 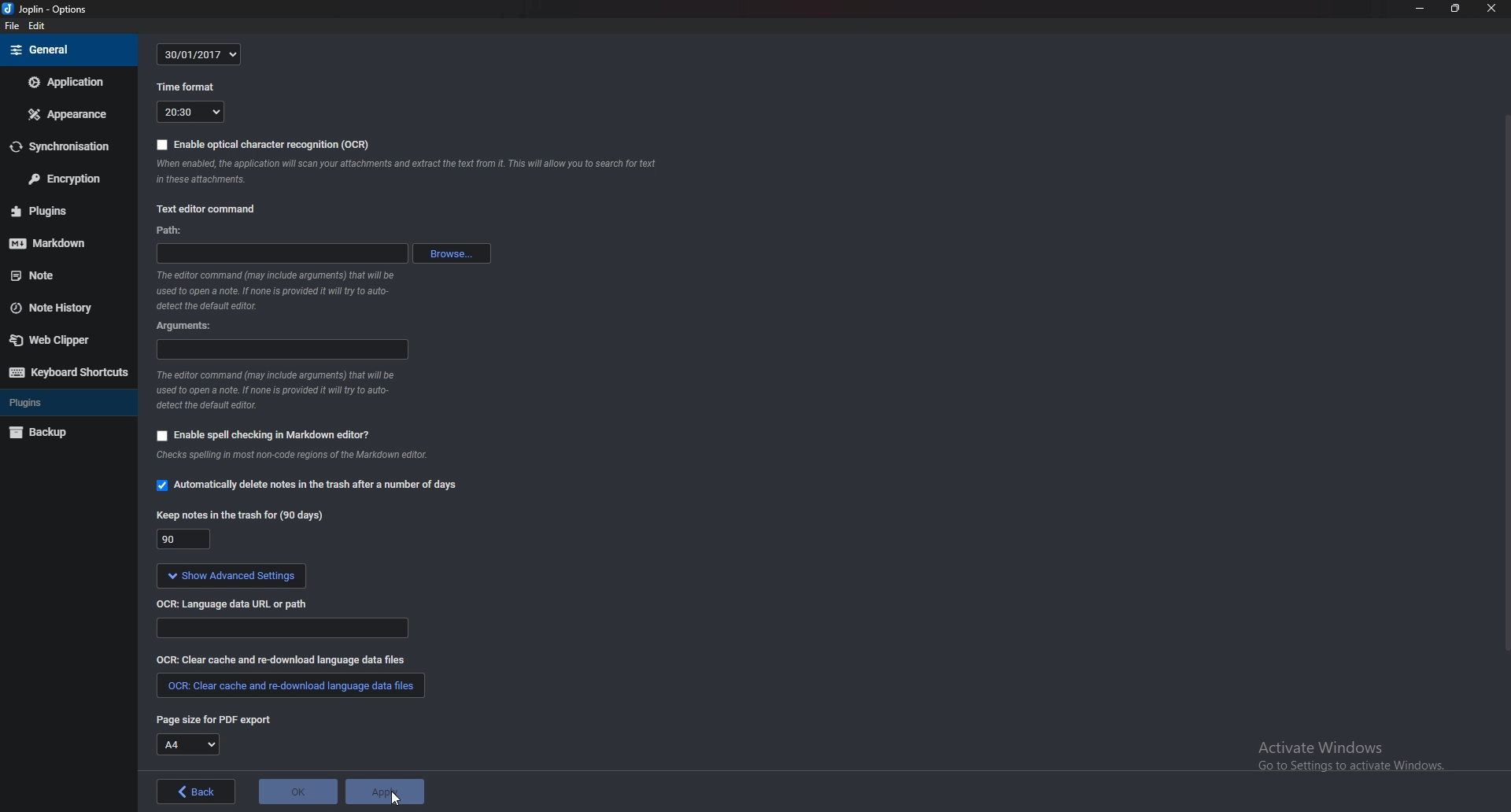 What do you see at coordinates (65, 146) in the screenshot?
I see `Synchronization` at bounding box center [65, 146].